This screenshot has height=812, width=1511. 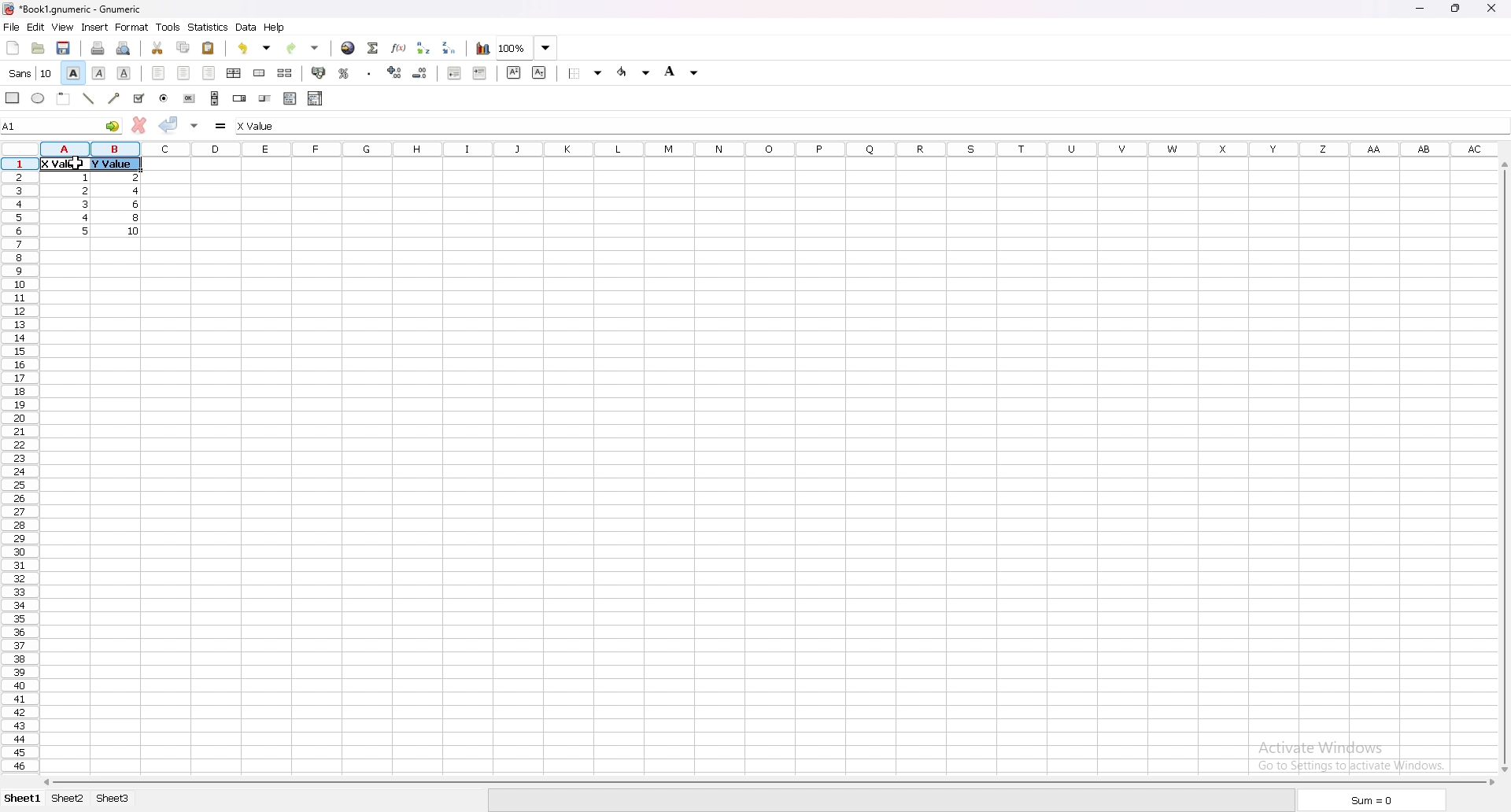 What do you see at coordinates (64, 98) in the screenshot?
I see `frame` at bounding box center [64, 98].